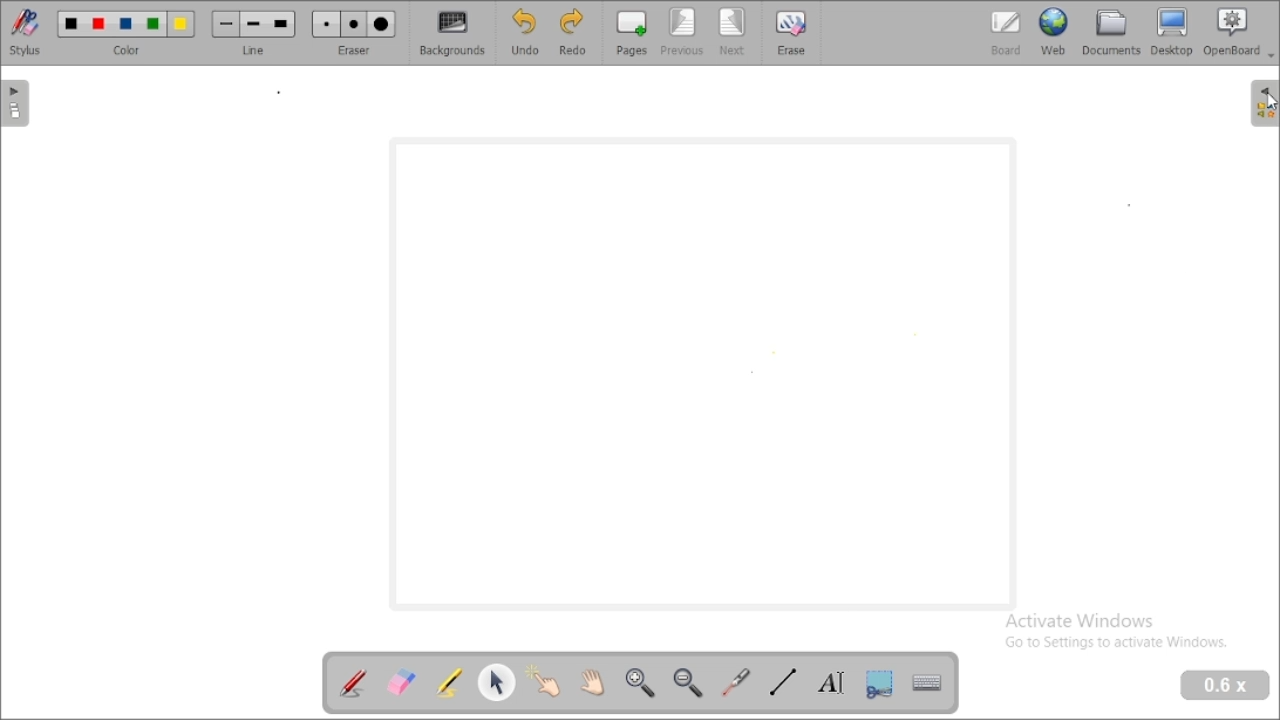 This screenshot has width=1280, height=720. What do you see at coordinates (734, 32) in the screenshot?
I see `next` at bounding box center [734, 32].